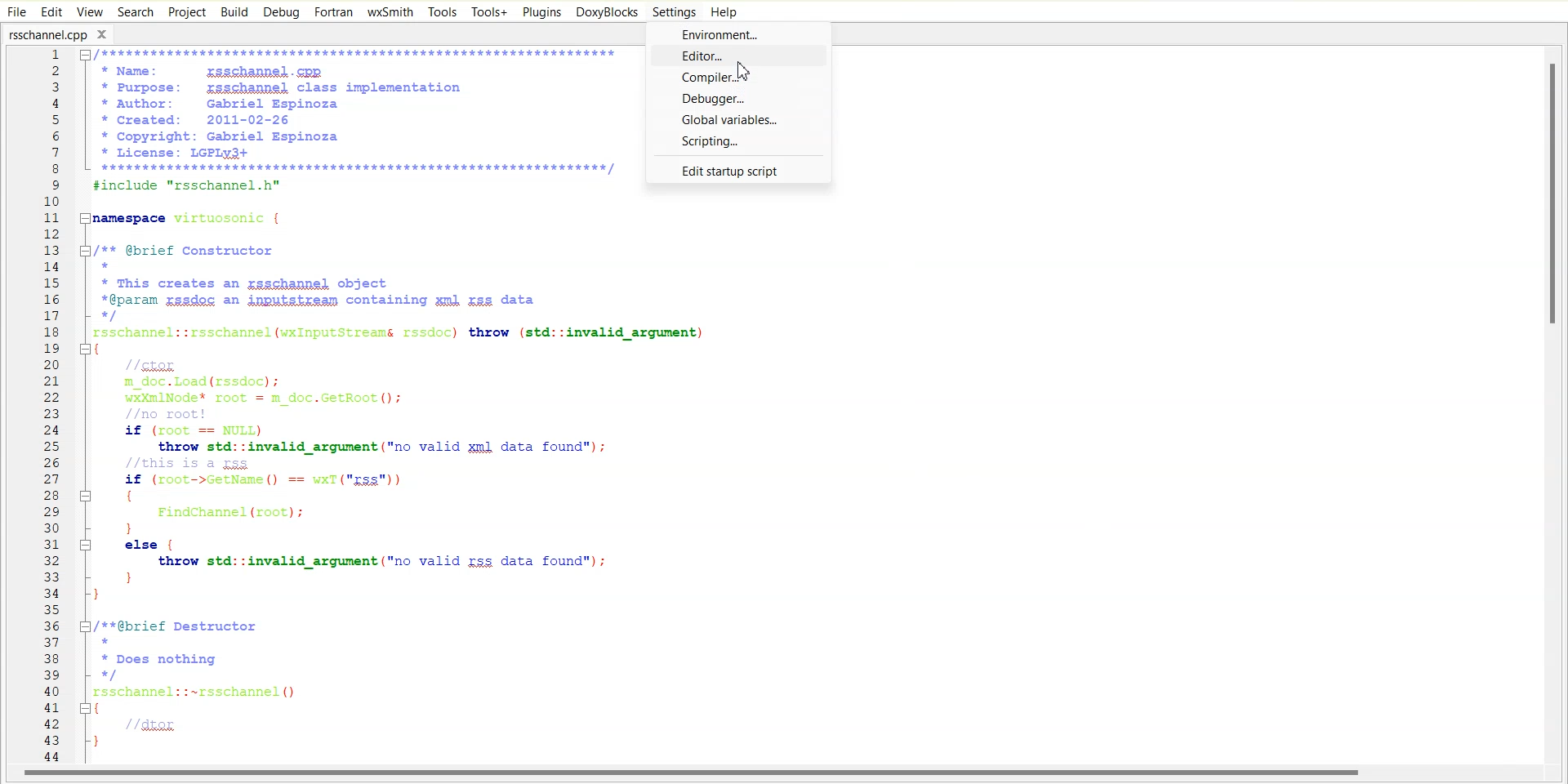 This screenshot has width=1568, height=784. I want to click on Plugins, so click(541, 11).